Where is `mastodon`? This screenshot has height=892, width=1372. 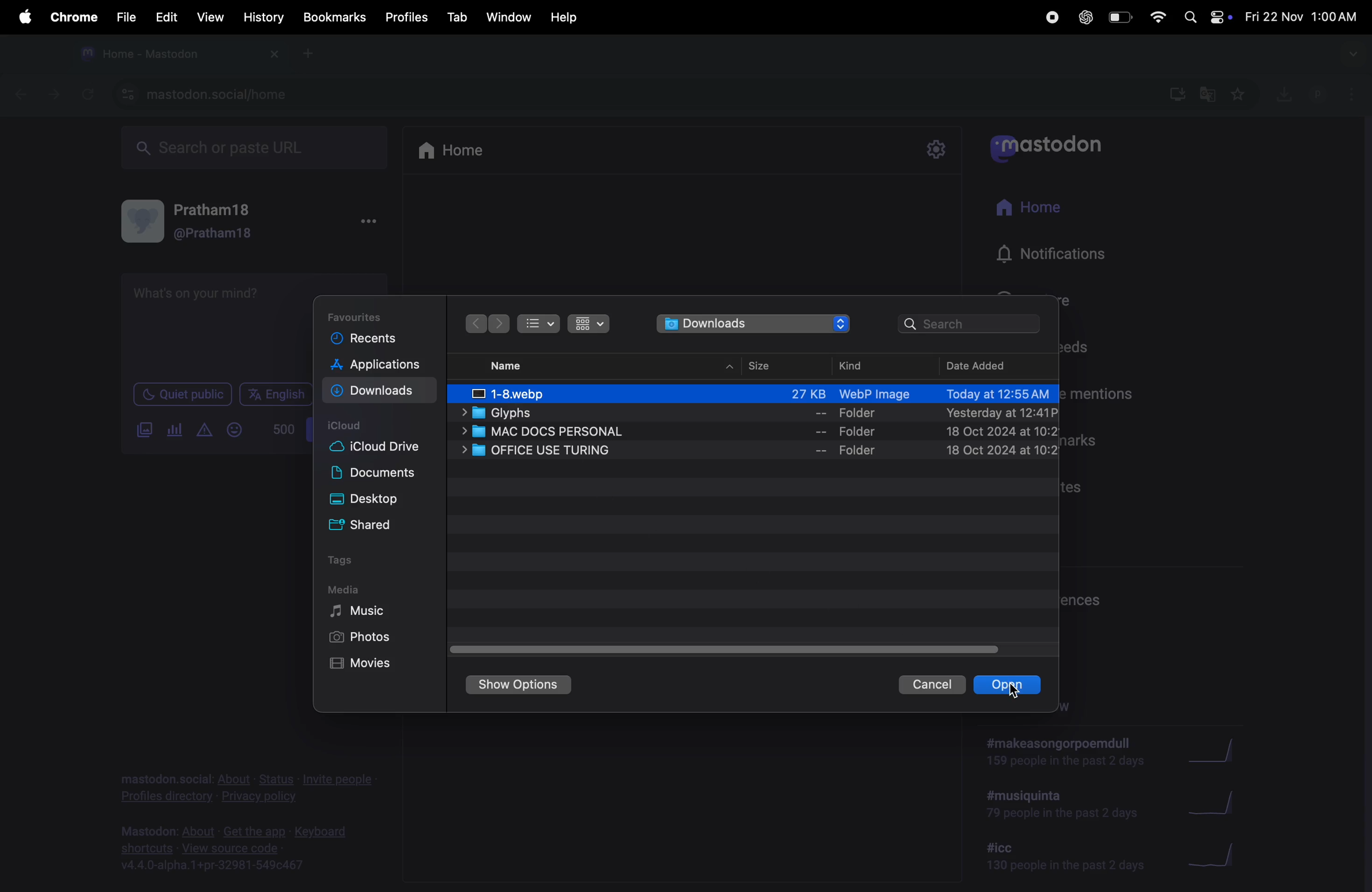 mastodon is located at coordinates (1061, 150).